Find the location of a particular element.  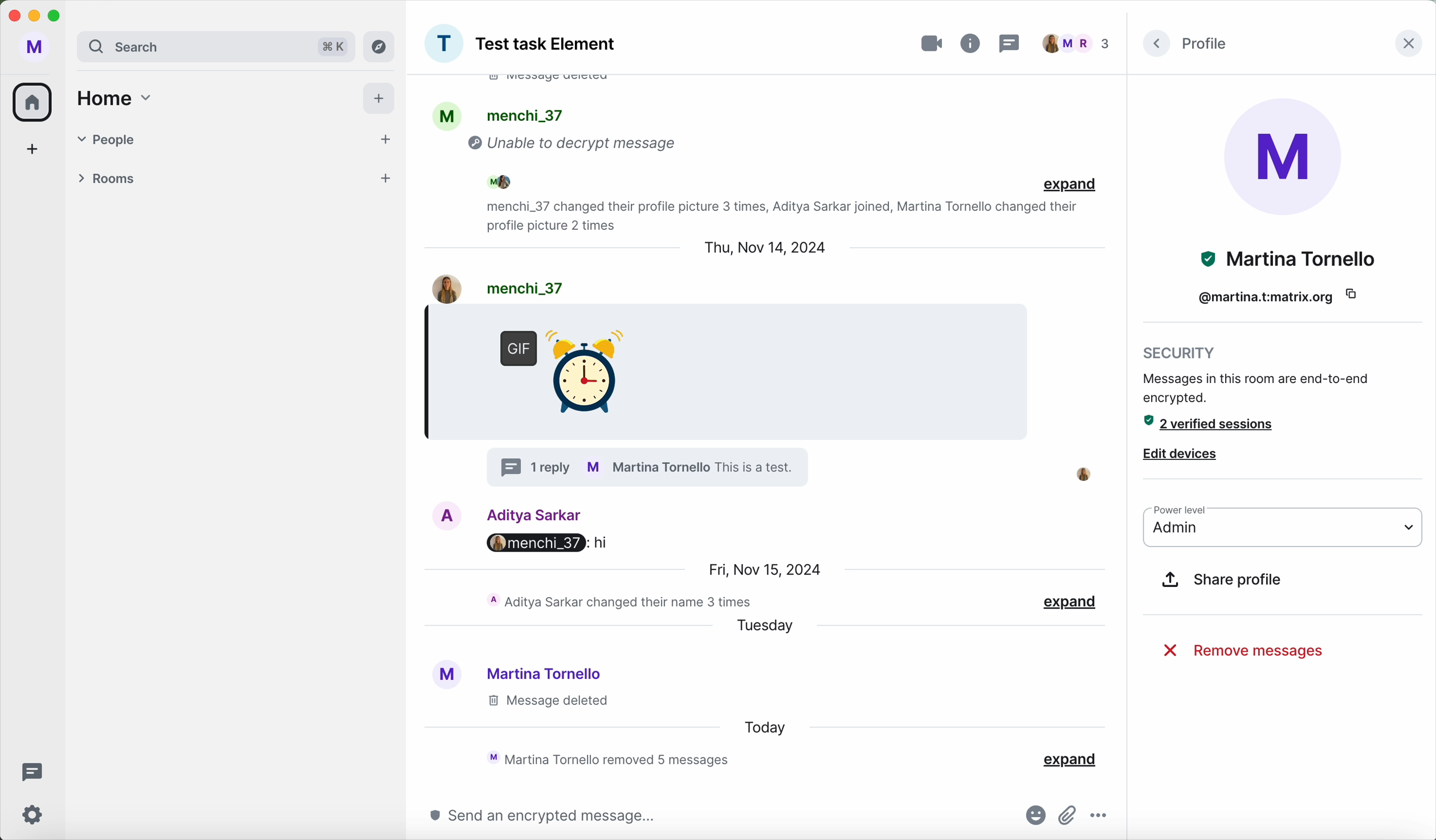

date is located at coordinates (763, 569).